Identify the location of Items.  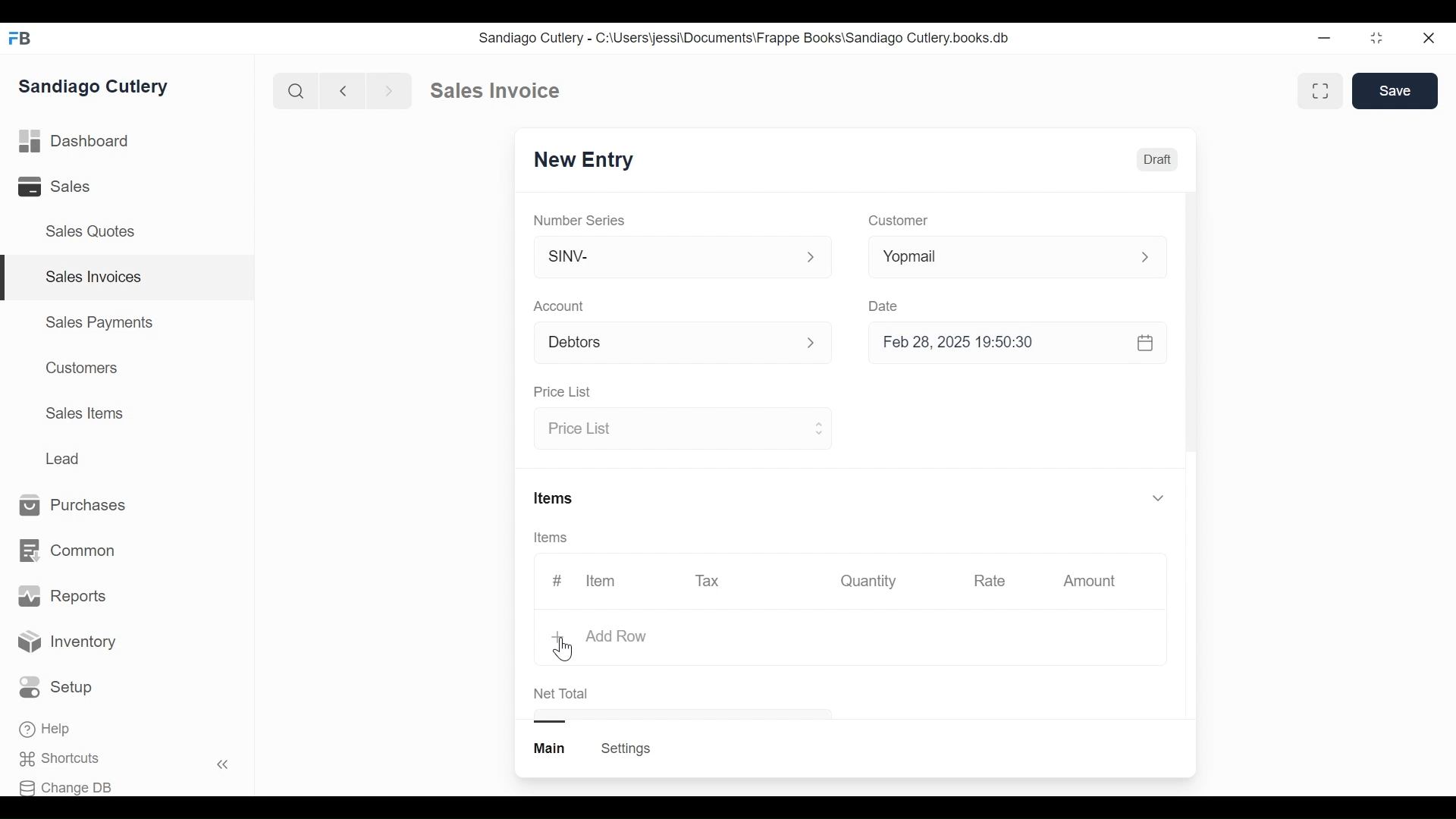
(552, 538).